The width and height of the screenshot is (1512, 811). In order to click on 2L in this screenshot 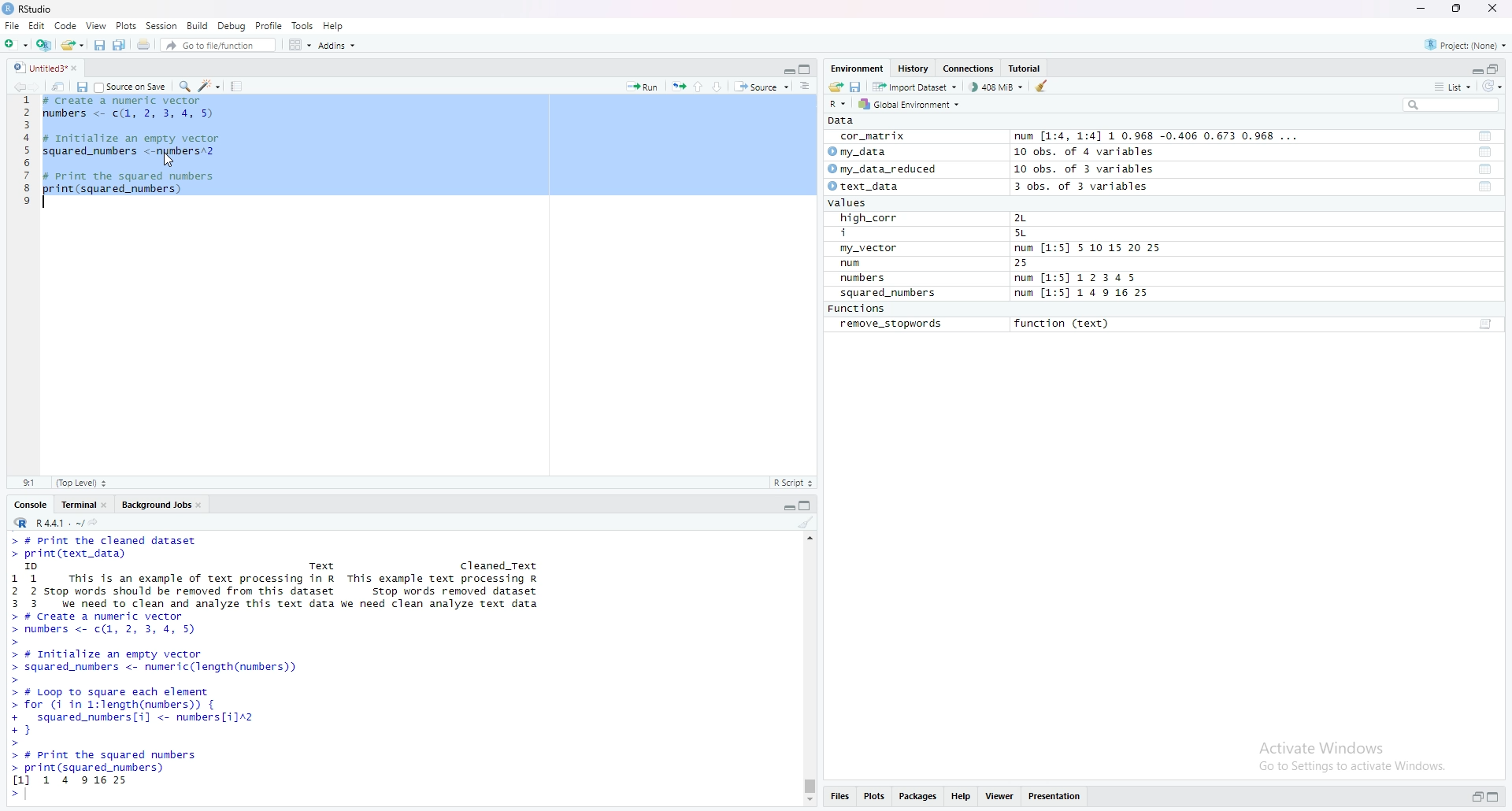, I will do `click(1029, 218)`.